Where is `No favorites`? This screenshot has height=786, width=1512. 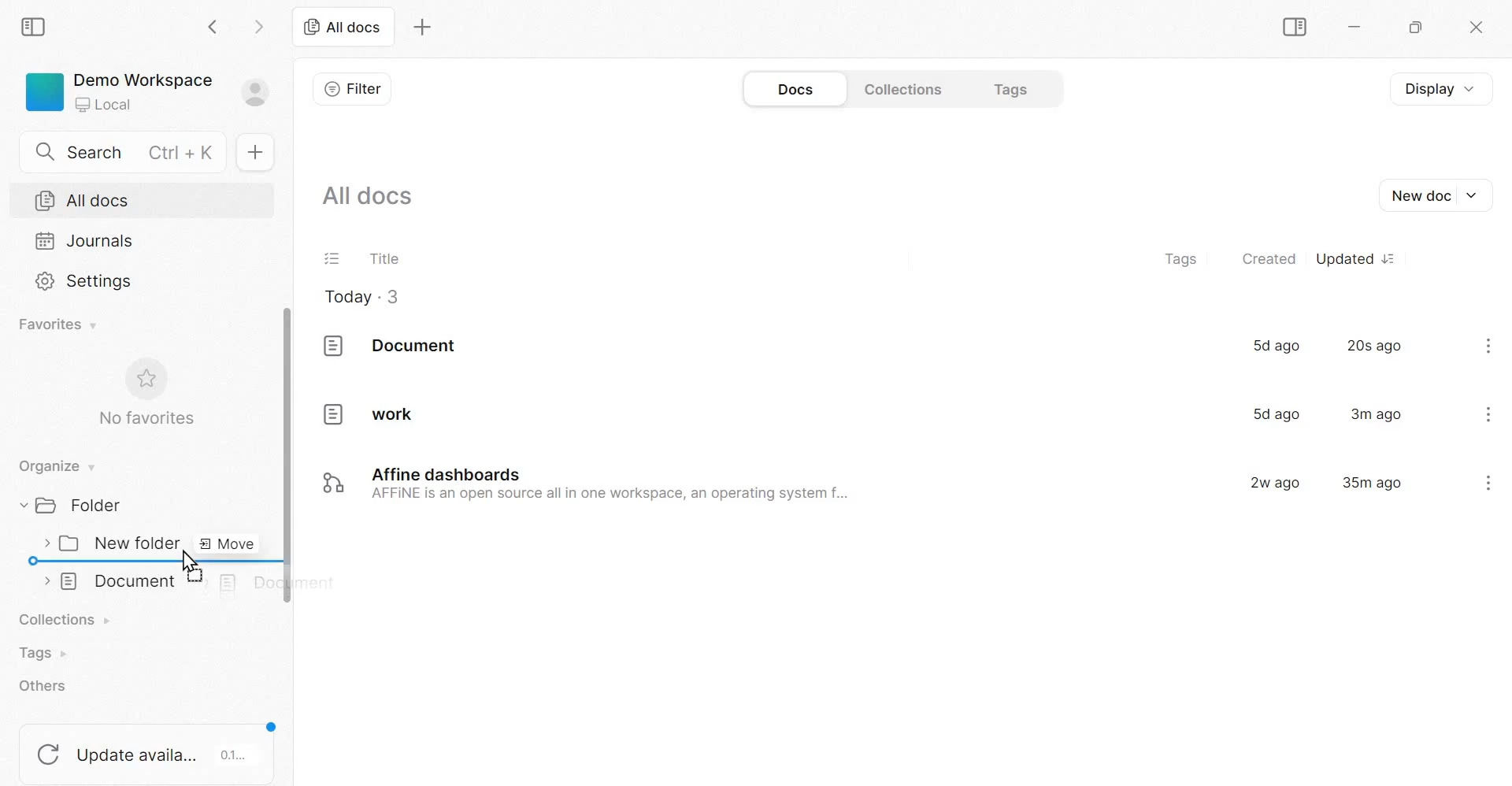 No favorites is located at coordinates (146, 395).